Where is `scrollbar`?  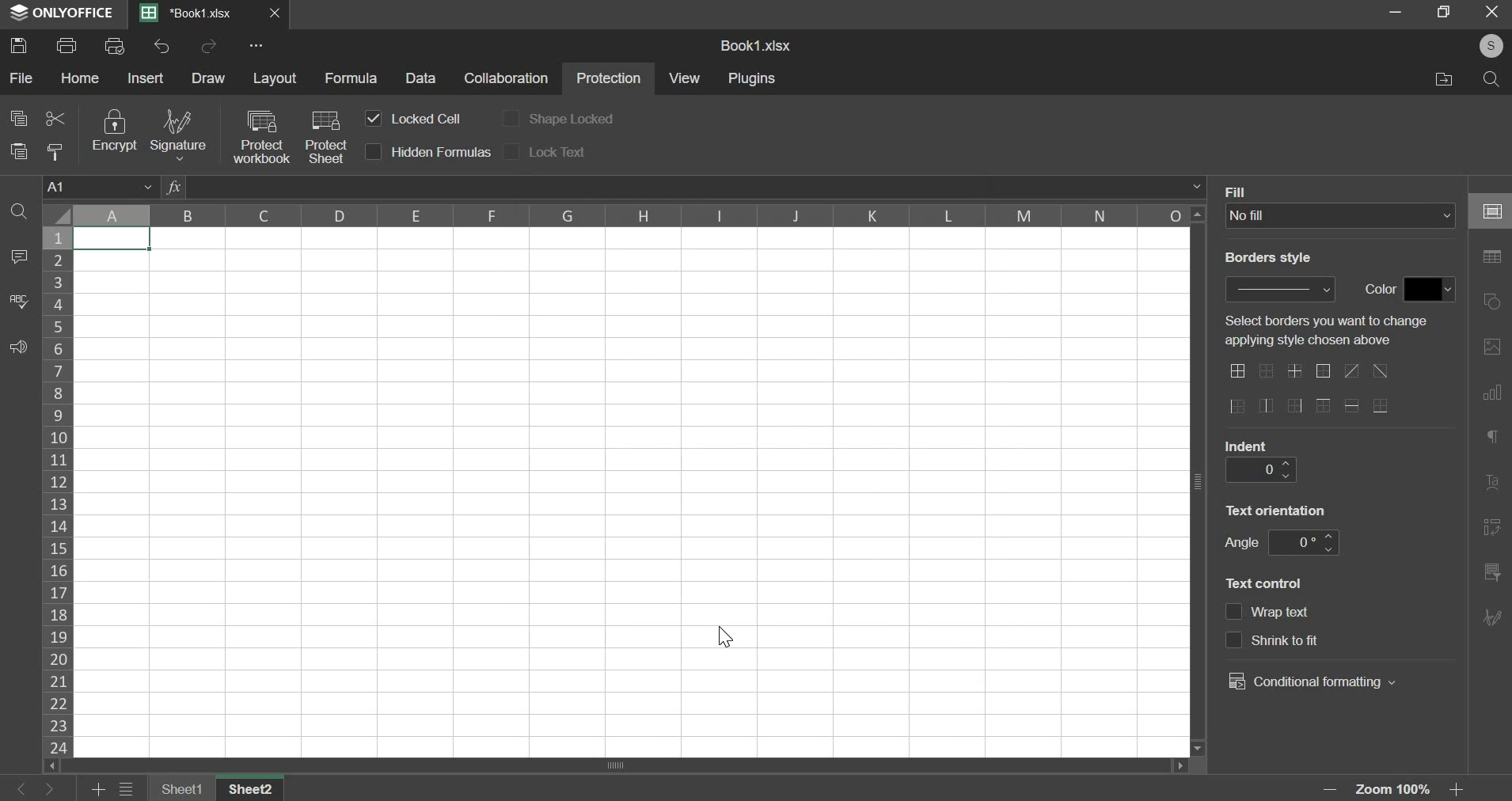
scrollbar is located at coordinates (623, 765).